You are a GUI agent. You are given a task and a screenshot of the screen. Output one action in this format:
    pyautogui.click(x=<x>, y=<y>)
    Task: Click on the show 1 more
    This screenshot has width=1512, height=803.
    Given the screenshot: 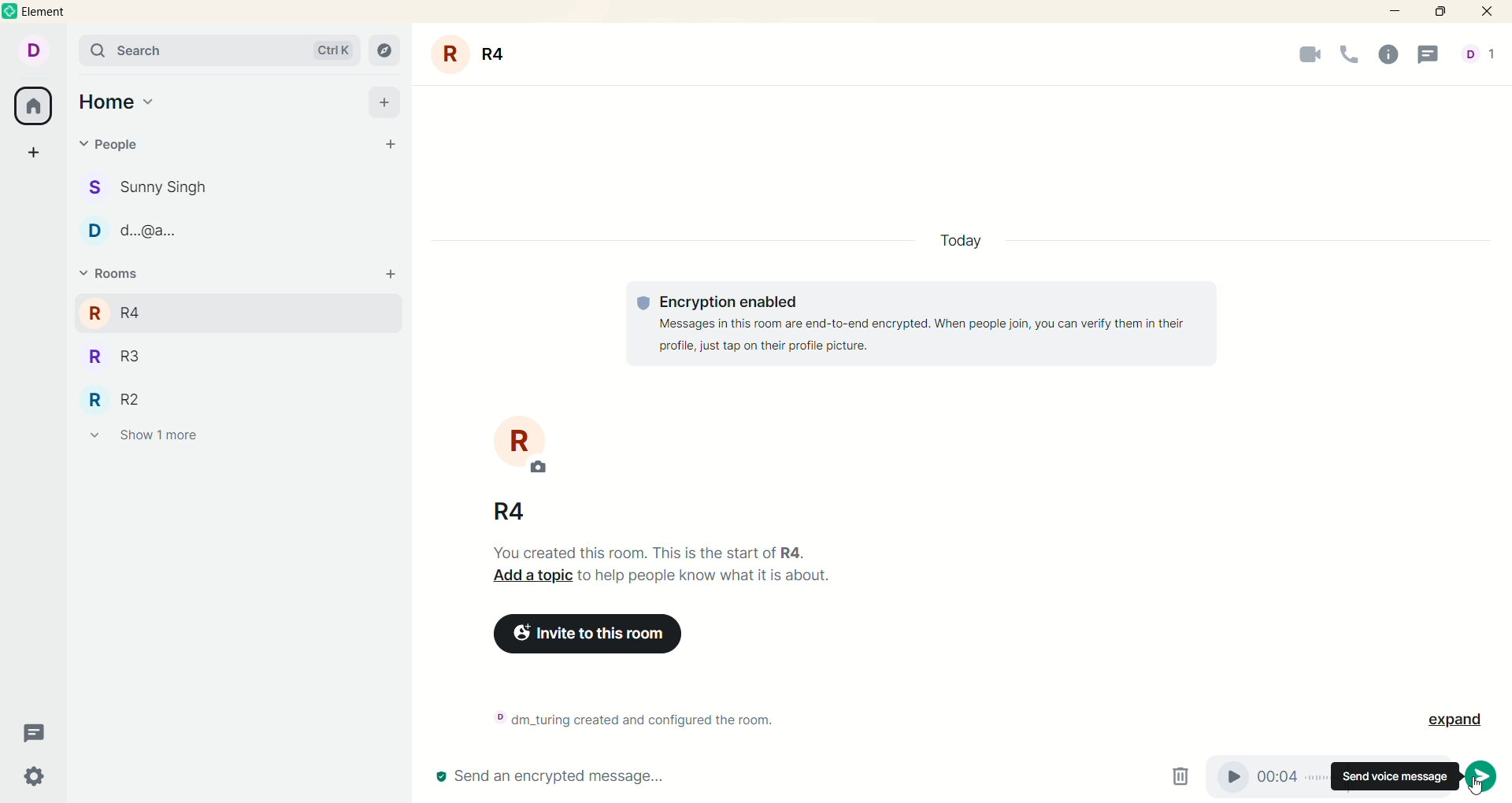 What is the action you would take?
    pyautogui.click(x=144, y=439)
    